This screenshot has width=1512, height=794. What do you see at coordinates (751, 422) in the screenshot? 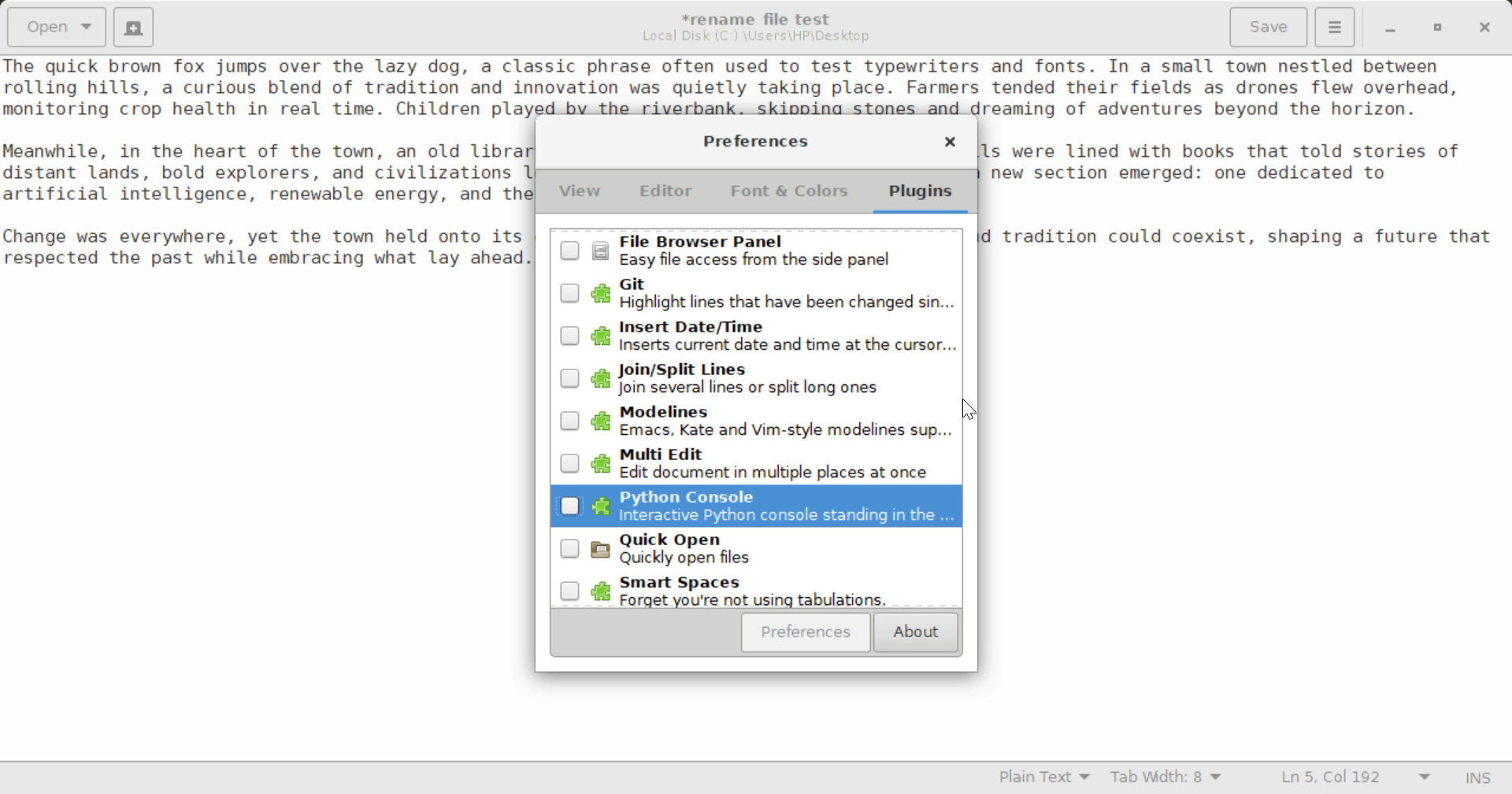
I see `Modelines Plugin Unselected` at bounding box center [751, 422].